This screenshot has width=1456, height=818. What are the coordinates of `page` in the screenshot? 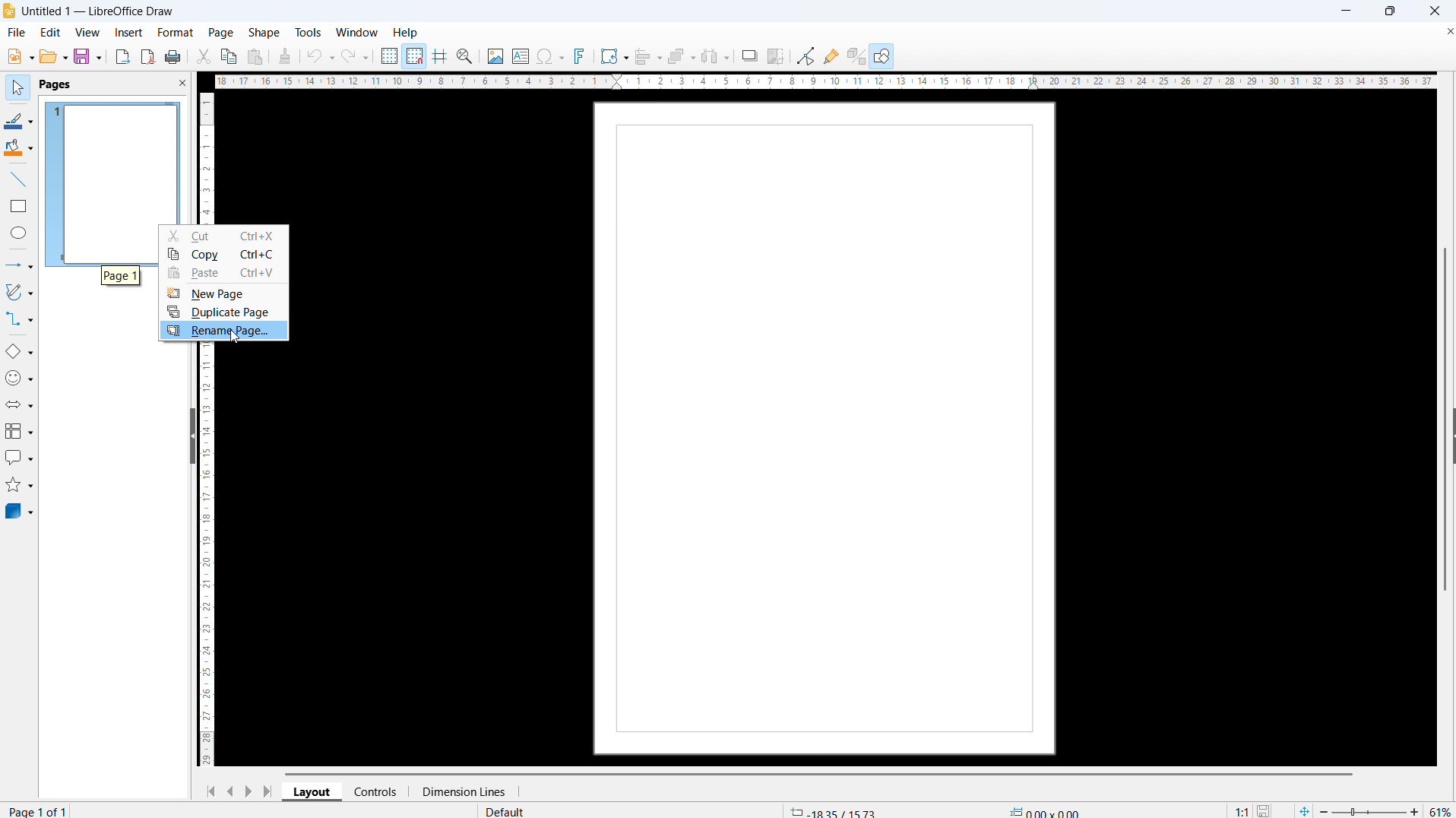 It's located at (825, 428).